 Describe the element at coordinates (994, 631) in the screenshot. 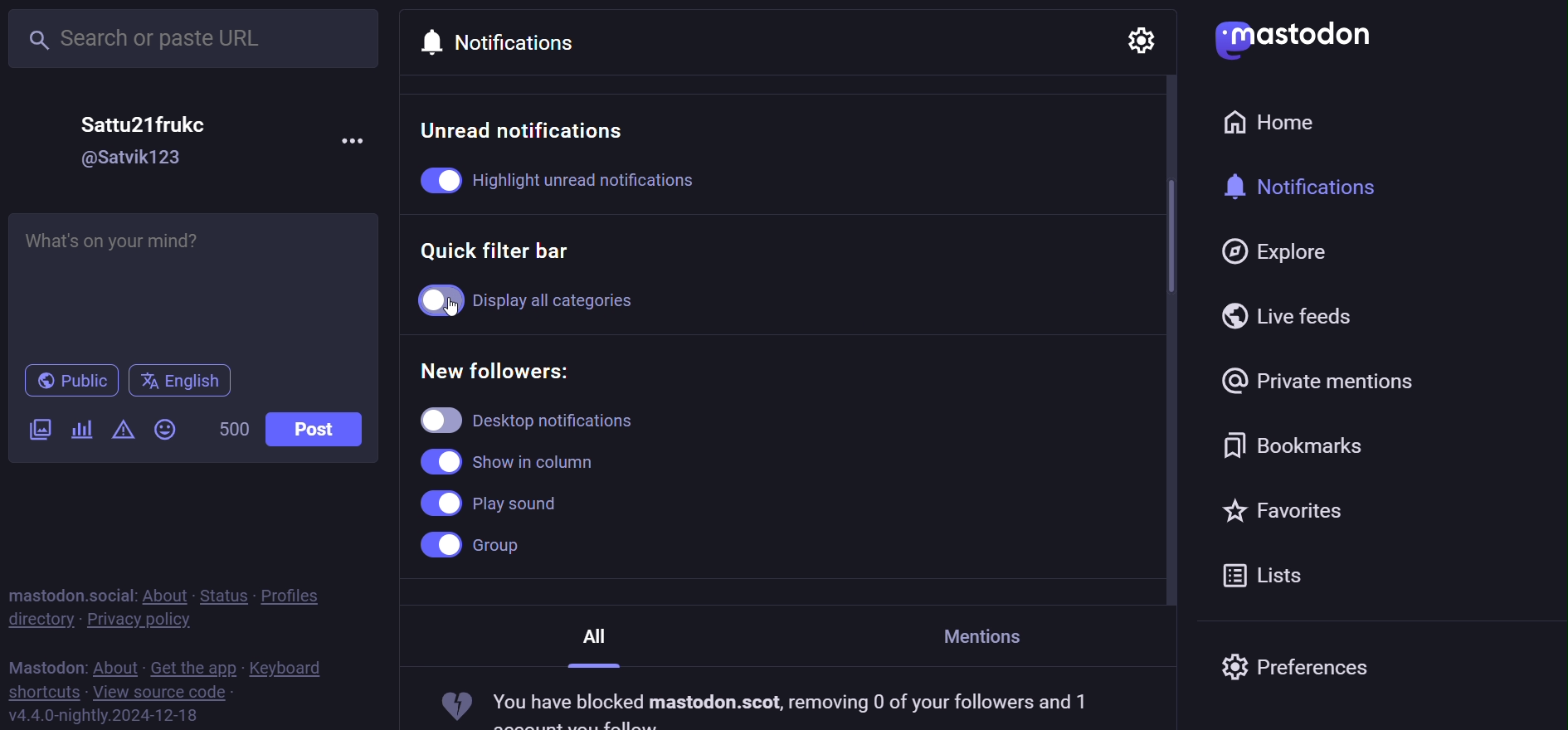

I see `mention` at that location.